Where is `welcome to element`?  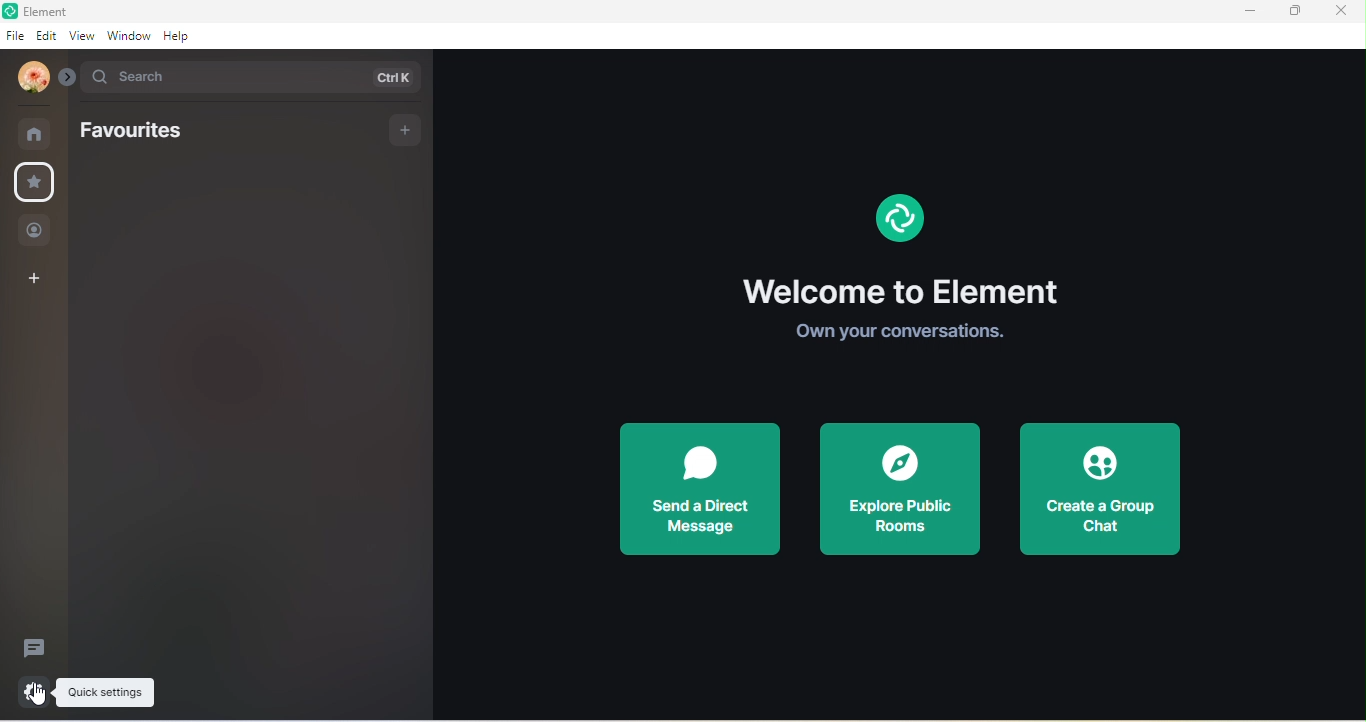 welcome to element is located at coordinates (900, 292).